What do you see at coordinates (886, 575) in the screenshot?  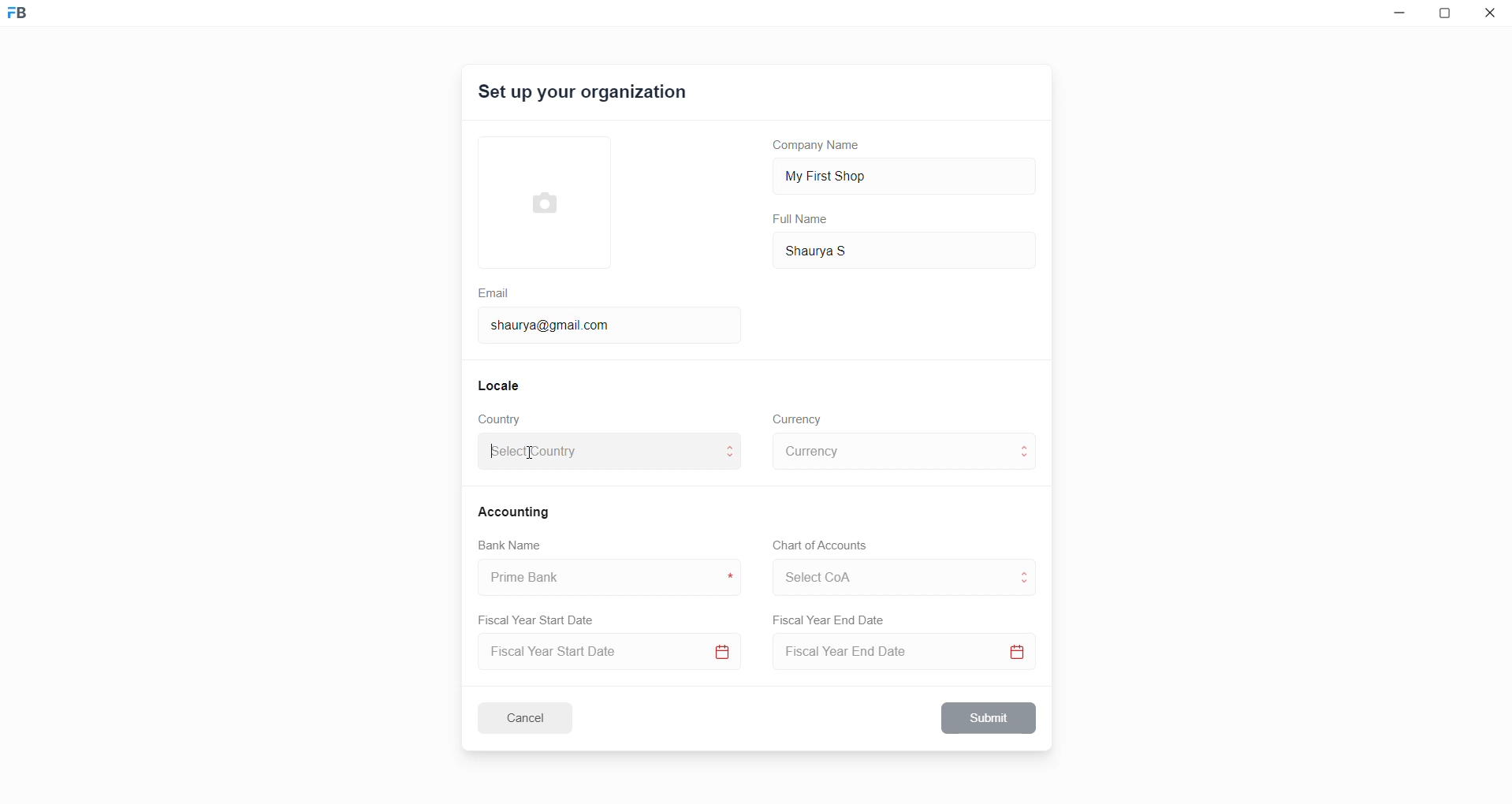 I see `select CoA` at bounding box center [886, 575].